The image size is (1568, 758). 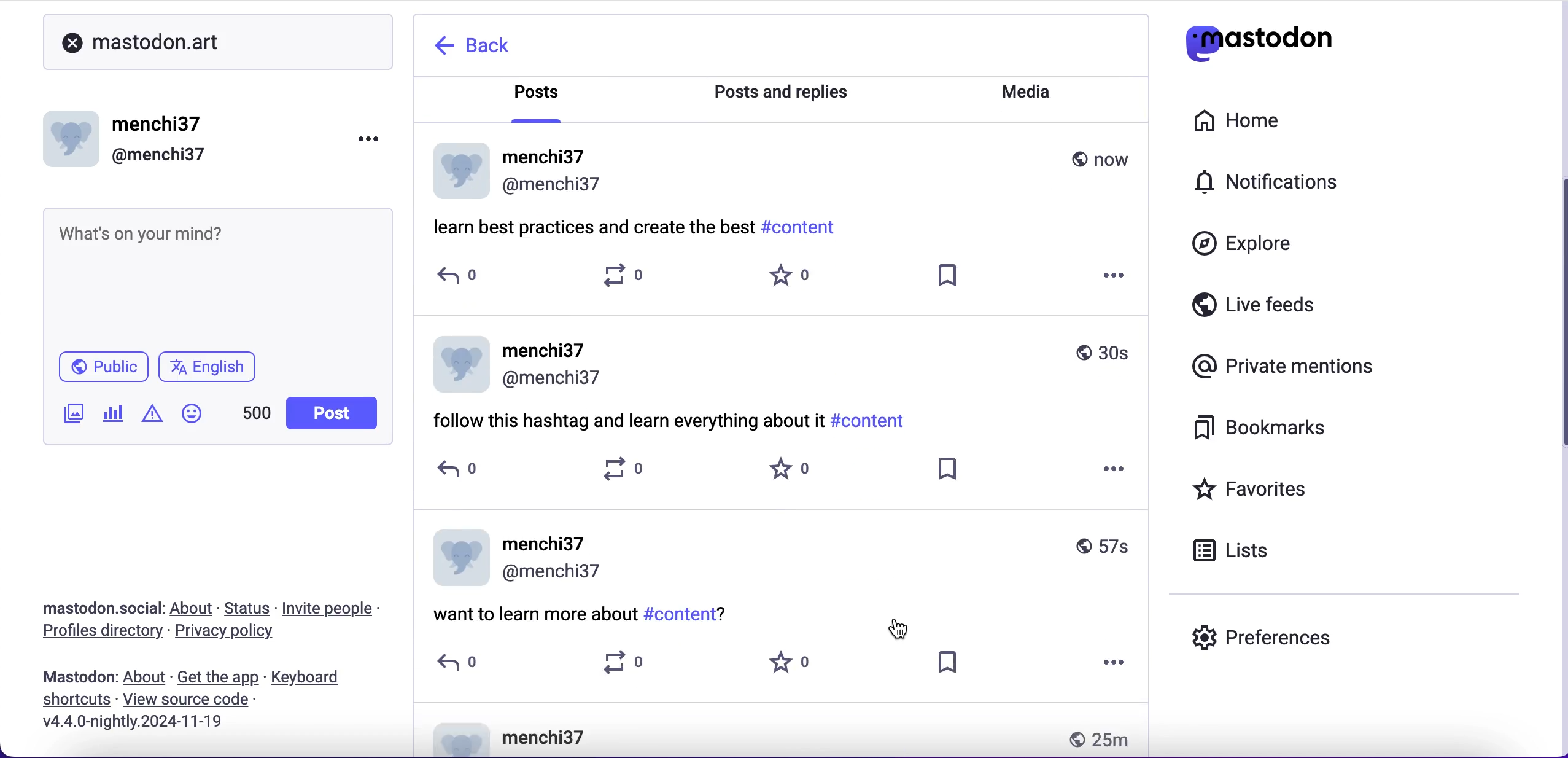 What do you see at coordinates (796, 667) in the screenshot?
I see `0 favorites` at bounding box center [796, 667].